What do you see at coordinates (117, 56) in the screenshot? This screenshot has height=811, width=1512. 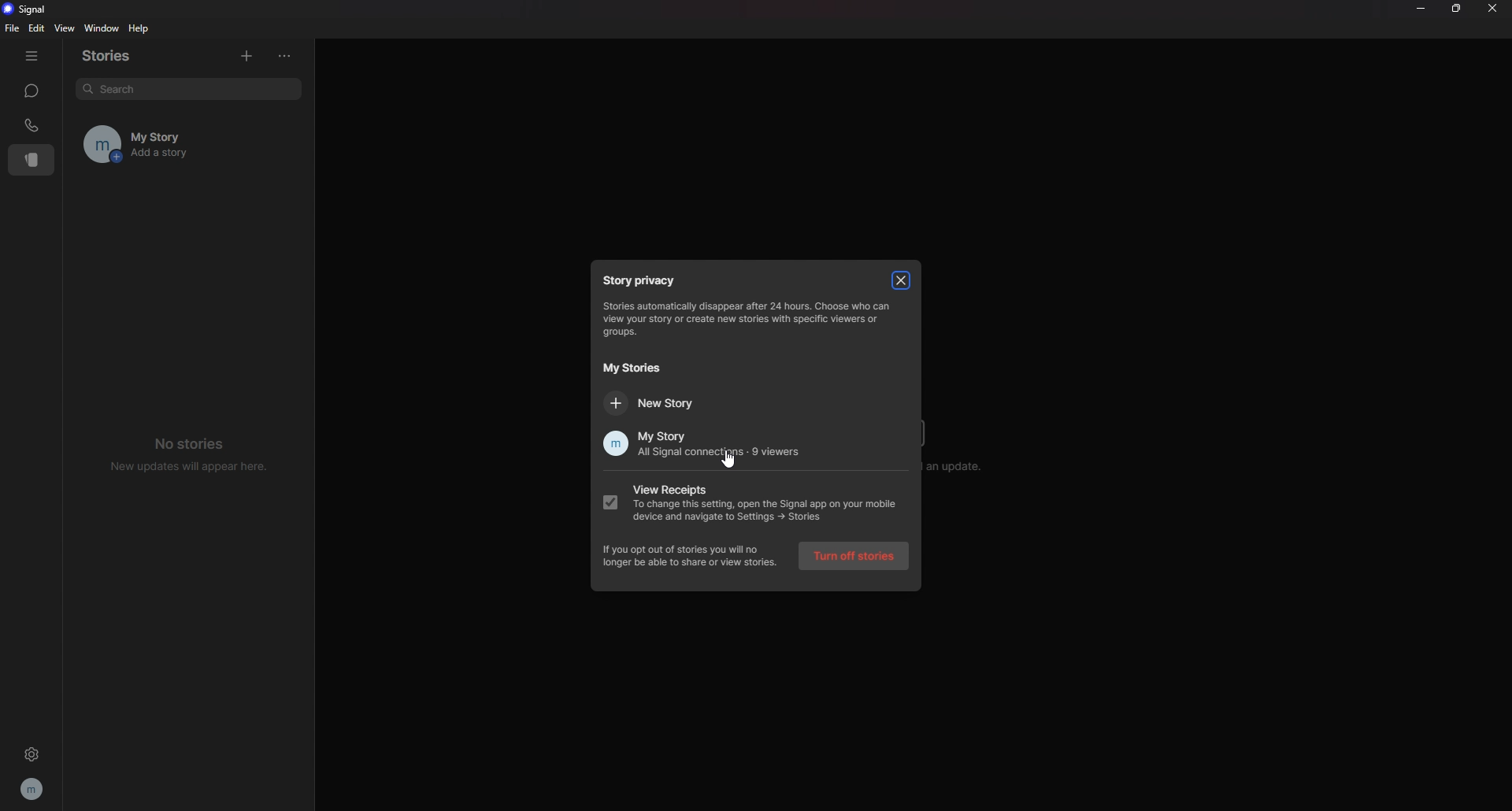 I see `stories` at bounding box center [117, 56].